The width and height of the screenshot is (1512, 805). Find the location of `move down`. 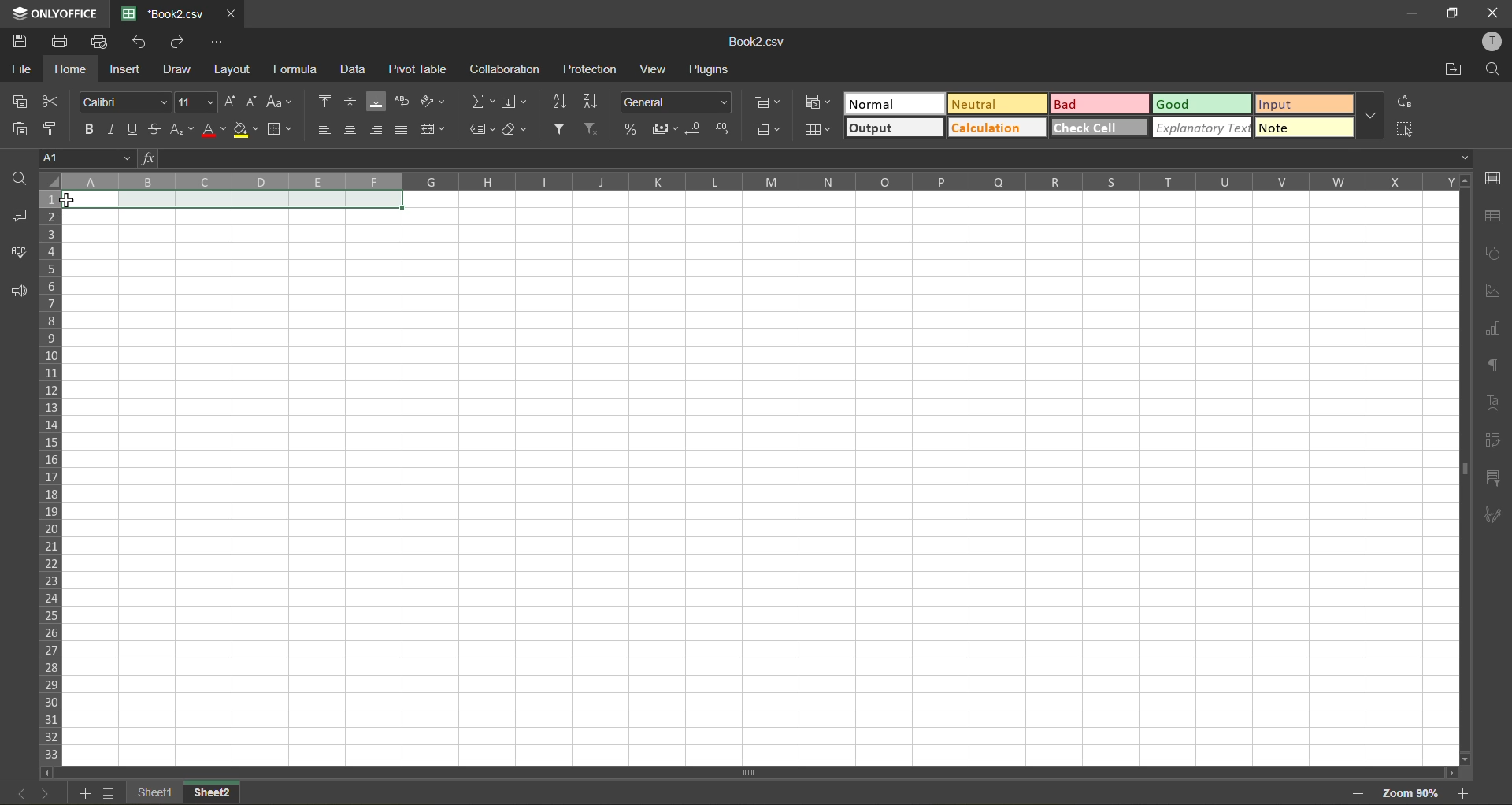

move down is located at coordinates (1461, 759).